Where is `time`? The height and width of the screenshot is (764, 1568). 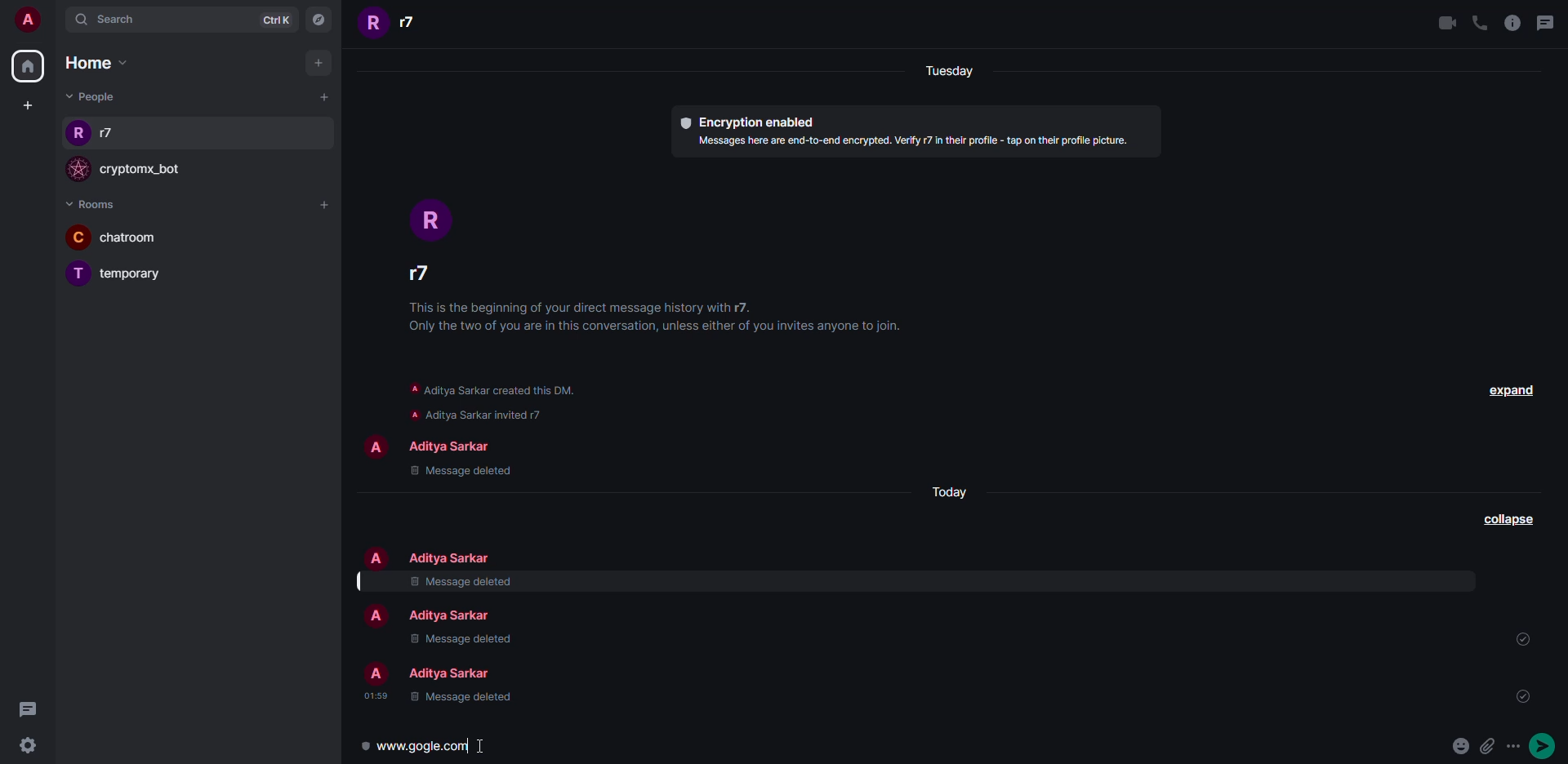 time is located at coordinates (375, 695).